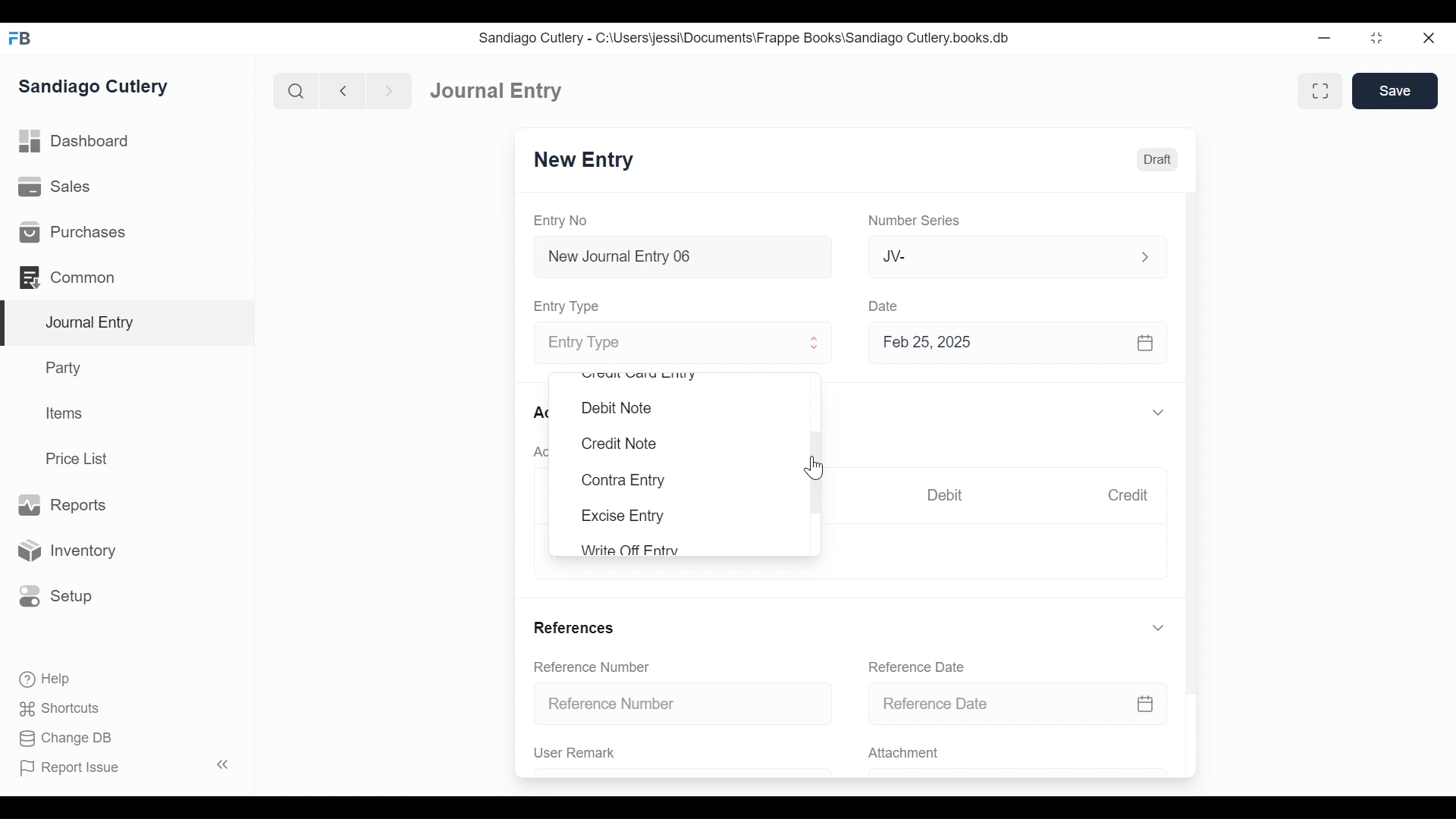 The image size is (1456, 819). I want to click on Entry Type, so click(670, 344).